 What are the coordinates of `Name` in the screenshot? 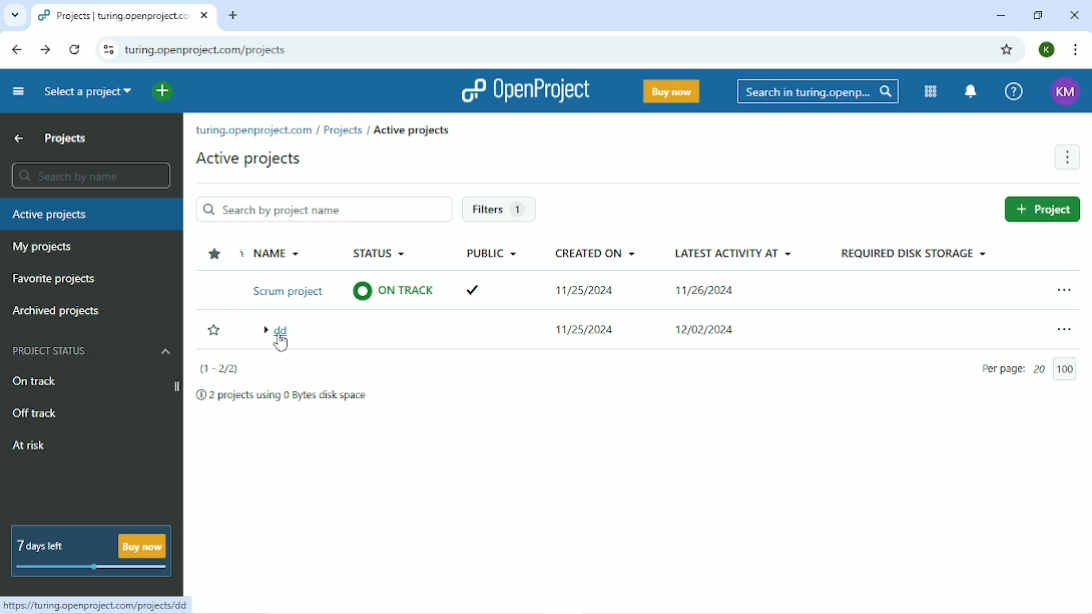 It's located at (281, 252).